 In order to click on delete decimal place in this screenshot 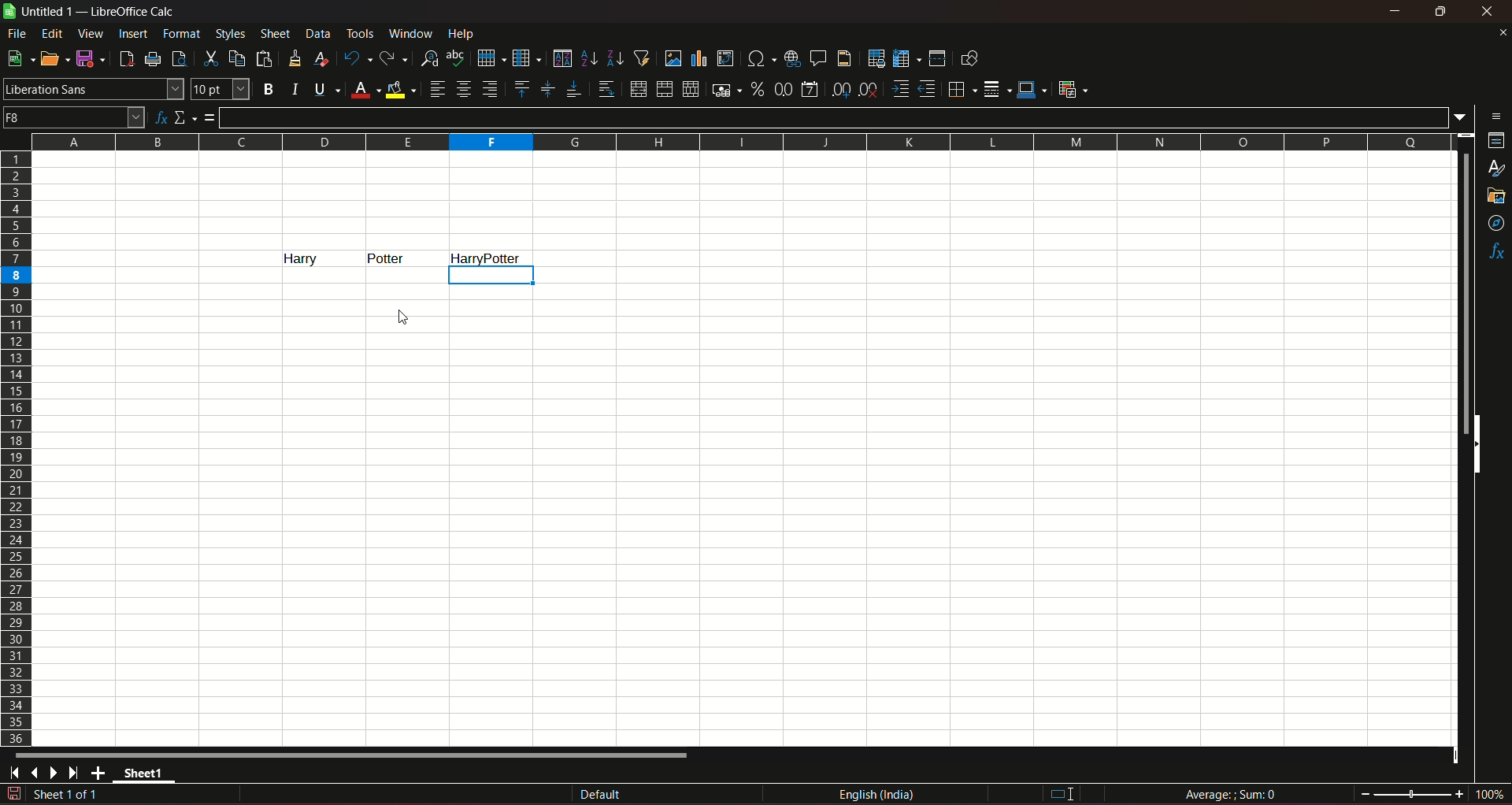, I will do `click(868, 91)`.